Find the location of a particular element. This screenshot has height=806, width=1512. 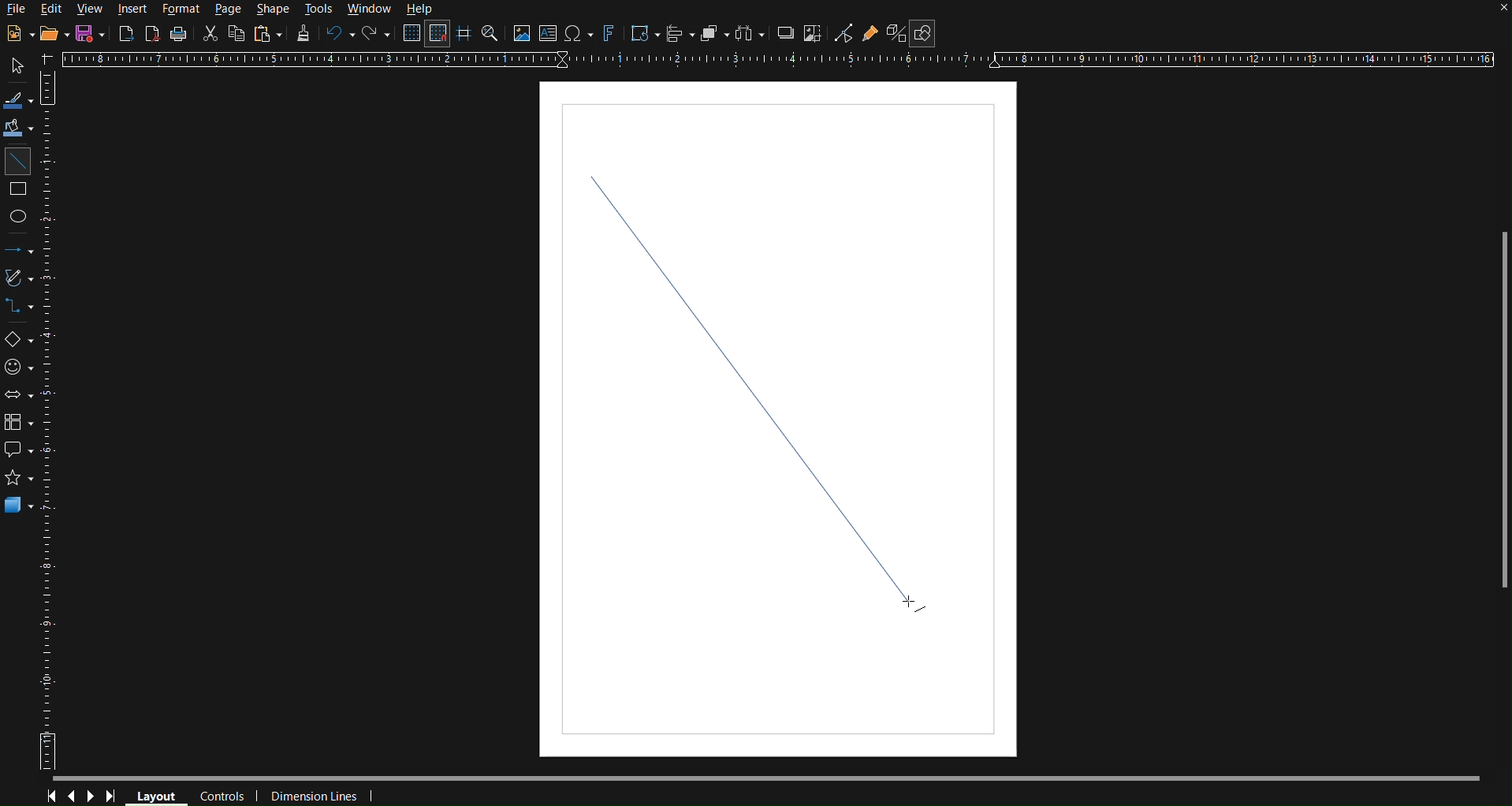

Redo is located at coordinates (378, 34).